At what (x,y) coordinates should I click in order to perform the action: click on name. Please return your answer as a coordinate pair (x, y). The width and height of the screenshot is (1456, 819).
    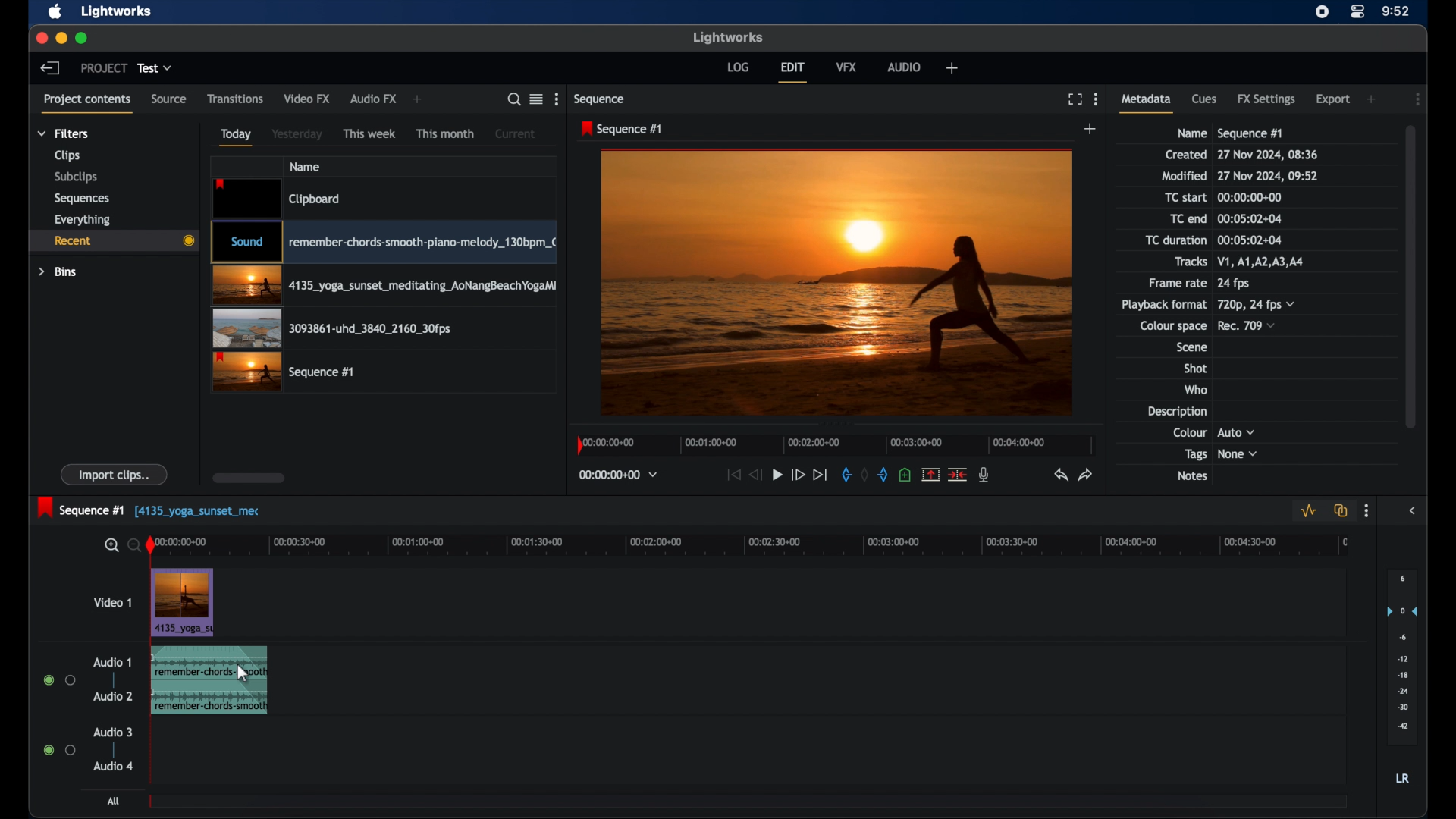
    Looking at the image, I should click on (304, 167).